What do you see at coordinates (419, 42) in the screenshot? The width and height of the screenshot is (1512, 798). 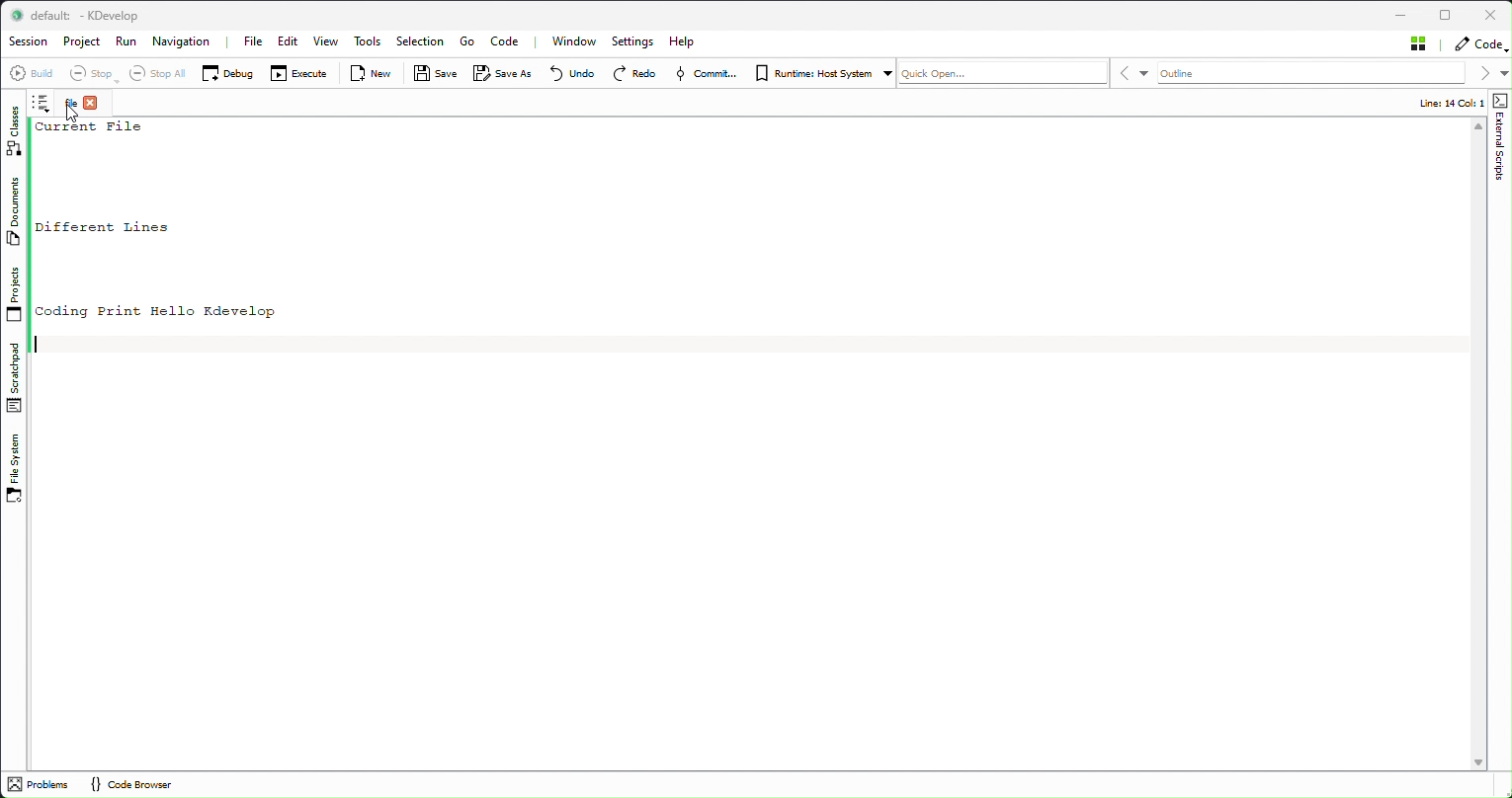 I see `Selection` at bounding box center [419, 42].